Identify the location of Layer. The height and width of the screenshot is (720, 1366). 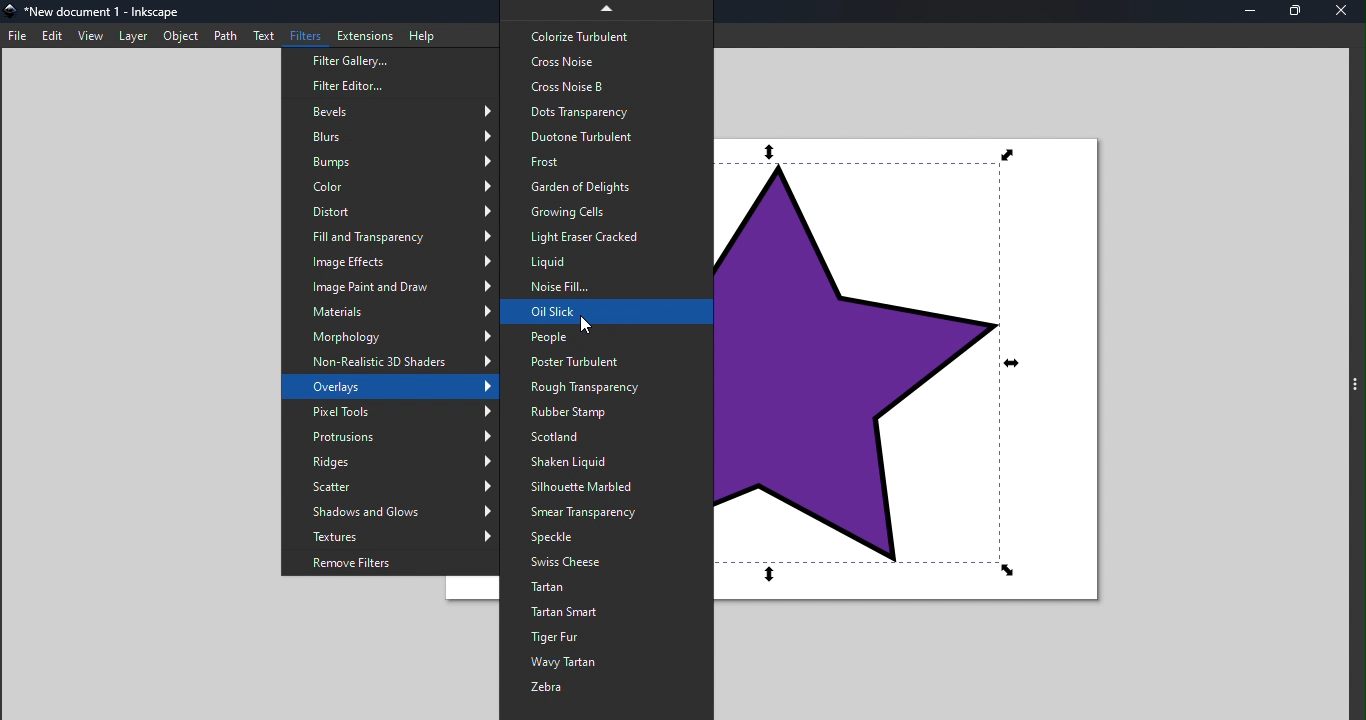
(135, 36).